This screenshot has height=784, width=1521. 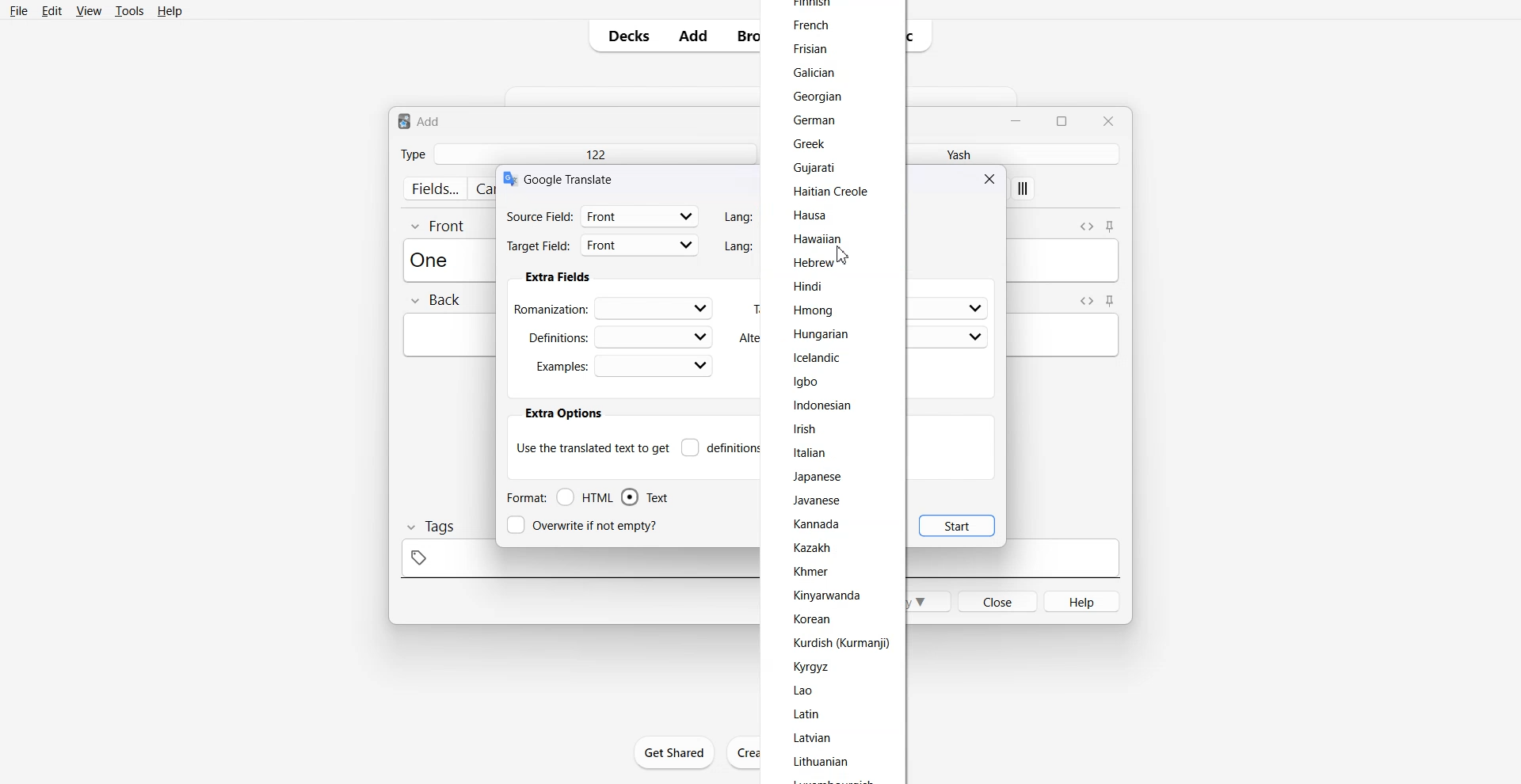 I want to click on Hindi, so click(x=811, y=284).